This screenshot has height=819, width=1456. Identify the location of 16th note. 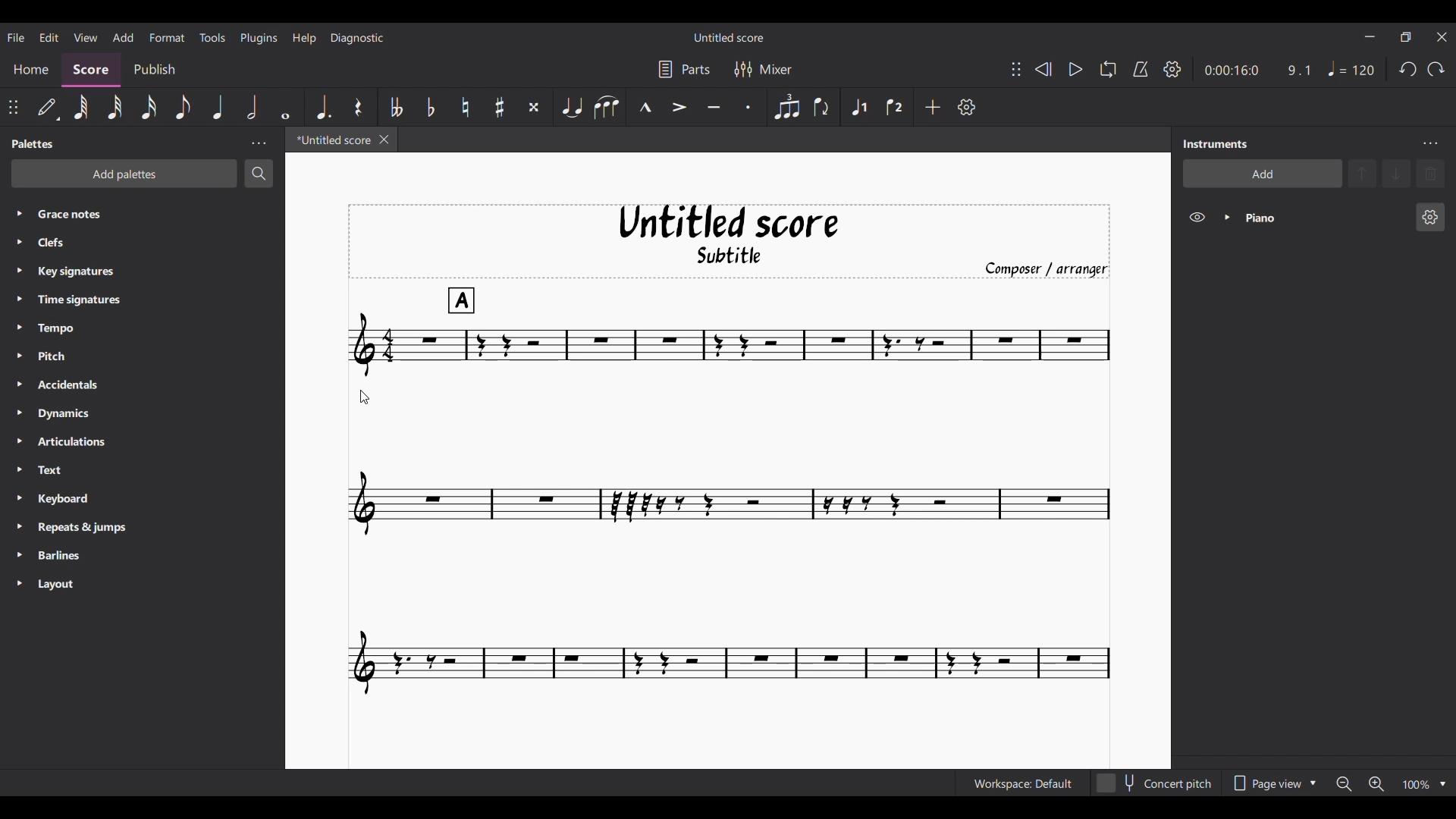
(149, 106).